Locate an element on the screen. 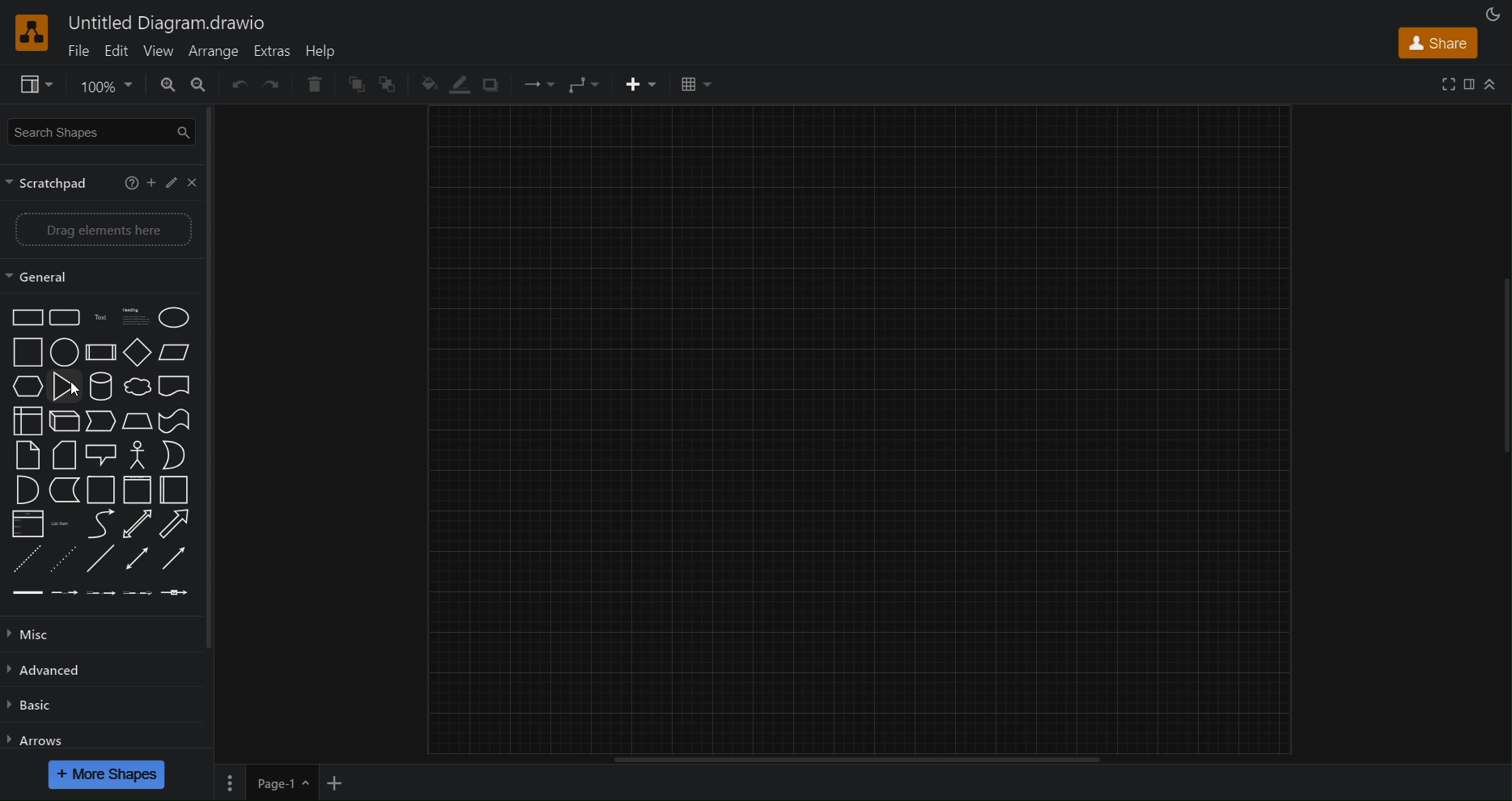 This screenshot has width=1512, height=801. Connection is located at coordinates (533, 87).